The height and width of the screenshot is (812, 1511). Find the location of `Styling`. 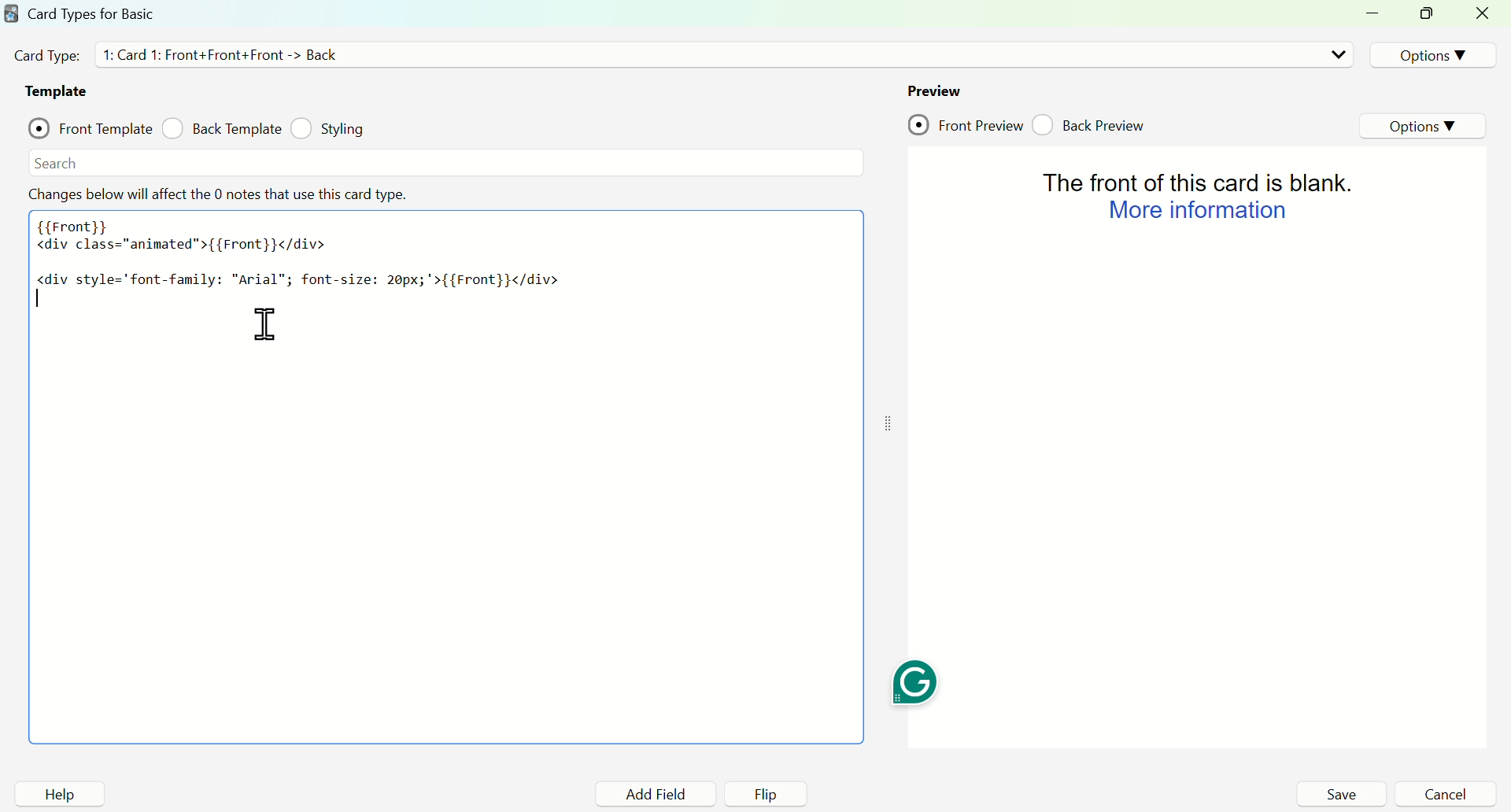

Styling is located at coordinates (331, 128).